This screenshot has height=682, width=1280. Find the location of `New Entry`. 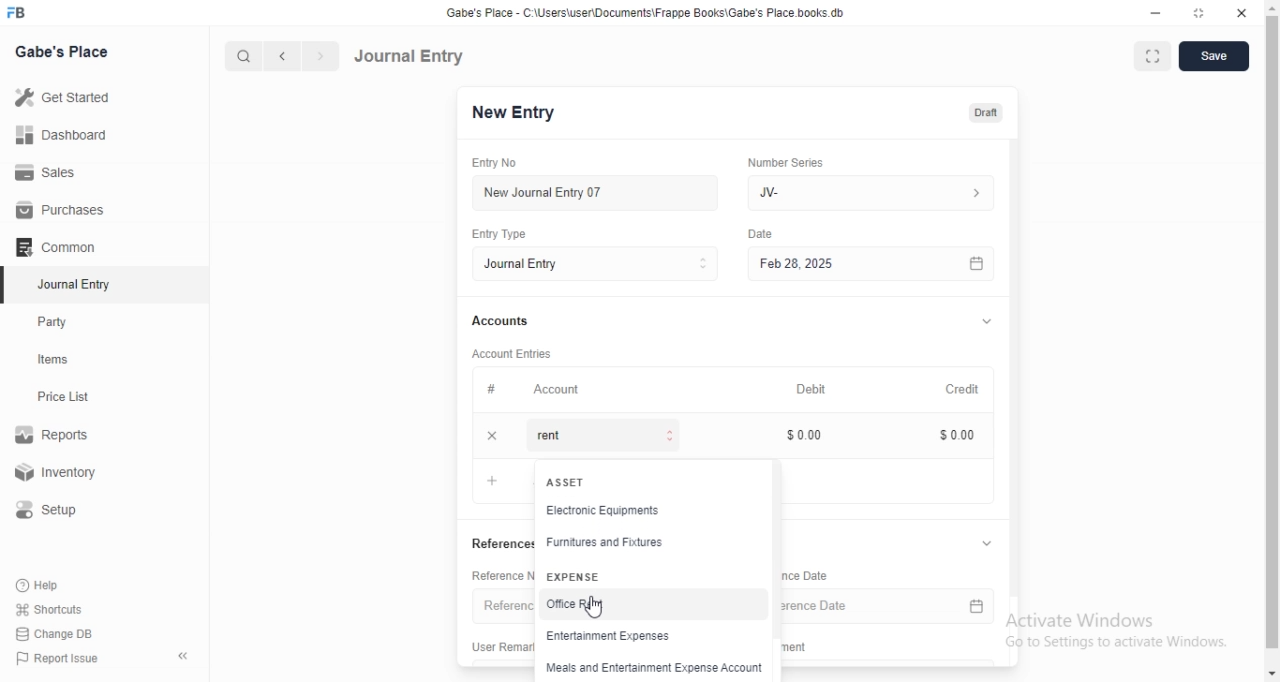

New Entry is located at coordinates (521, 113).